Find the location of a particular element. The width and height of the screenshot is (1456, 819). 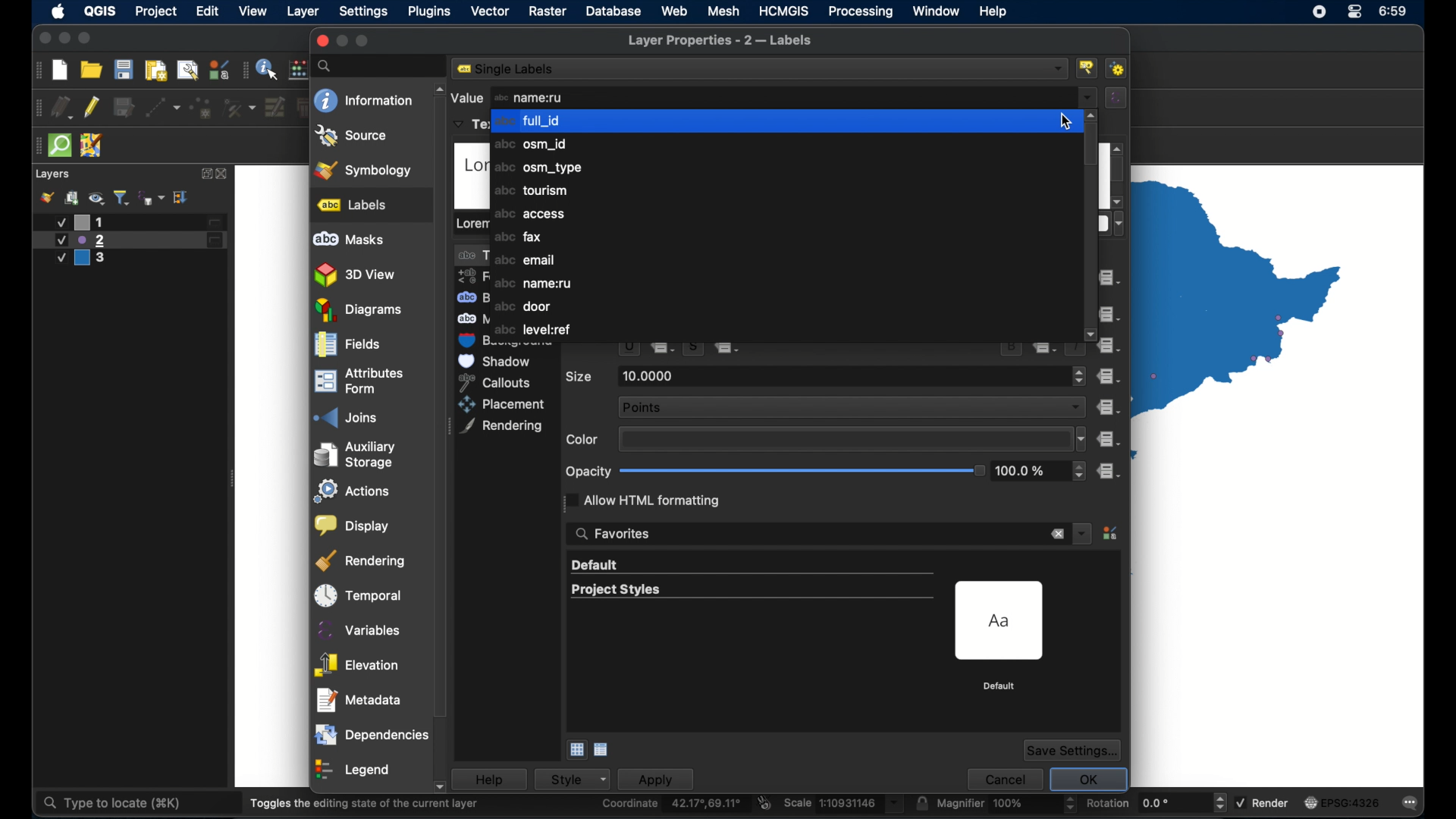

labels is located at coordinates (353, 205).